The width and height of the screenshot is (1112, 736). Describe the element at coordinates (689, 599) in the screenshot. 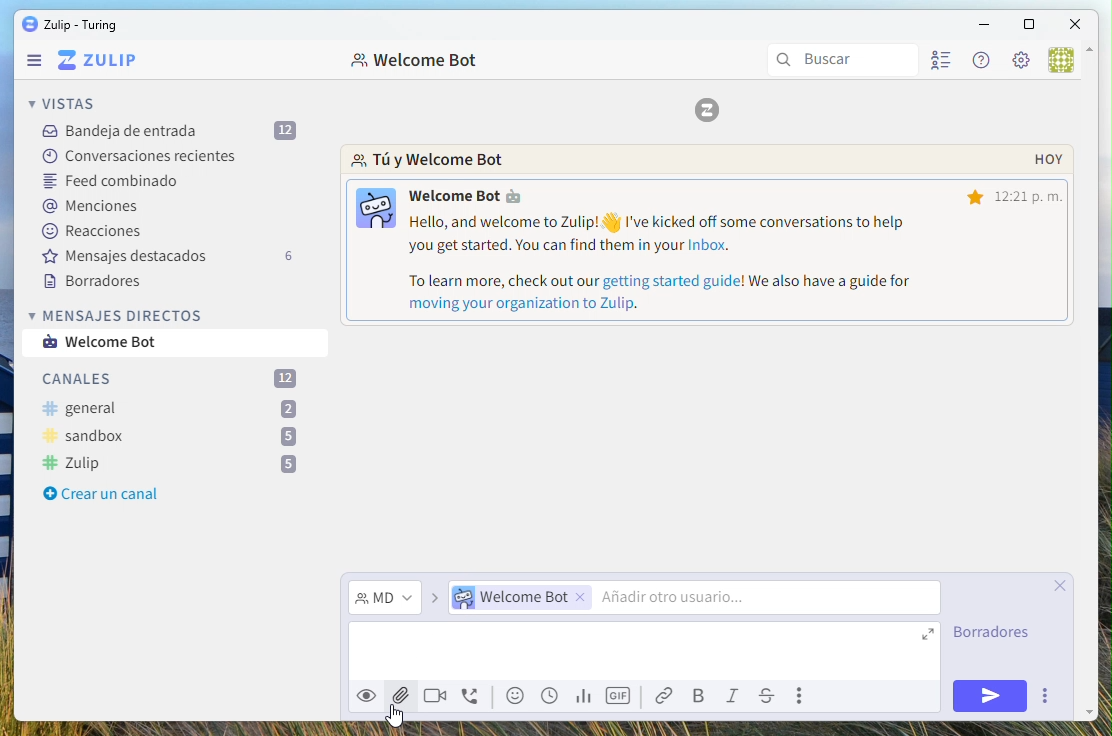

I see `Senders` at that location.